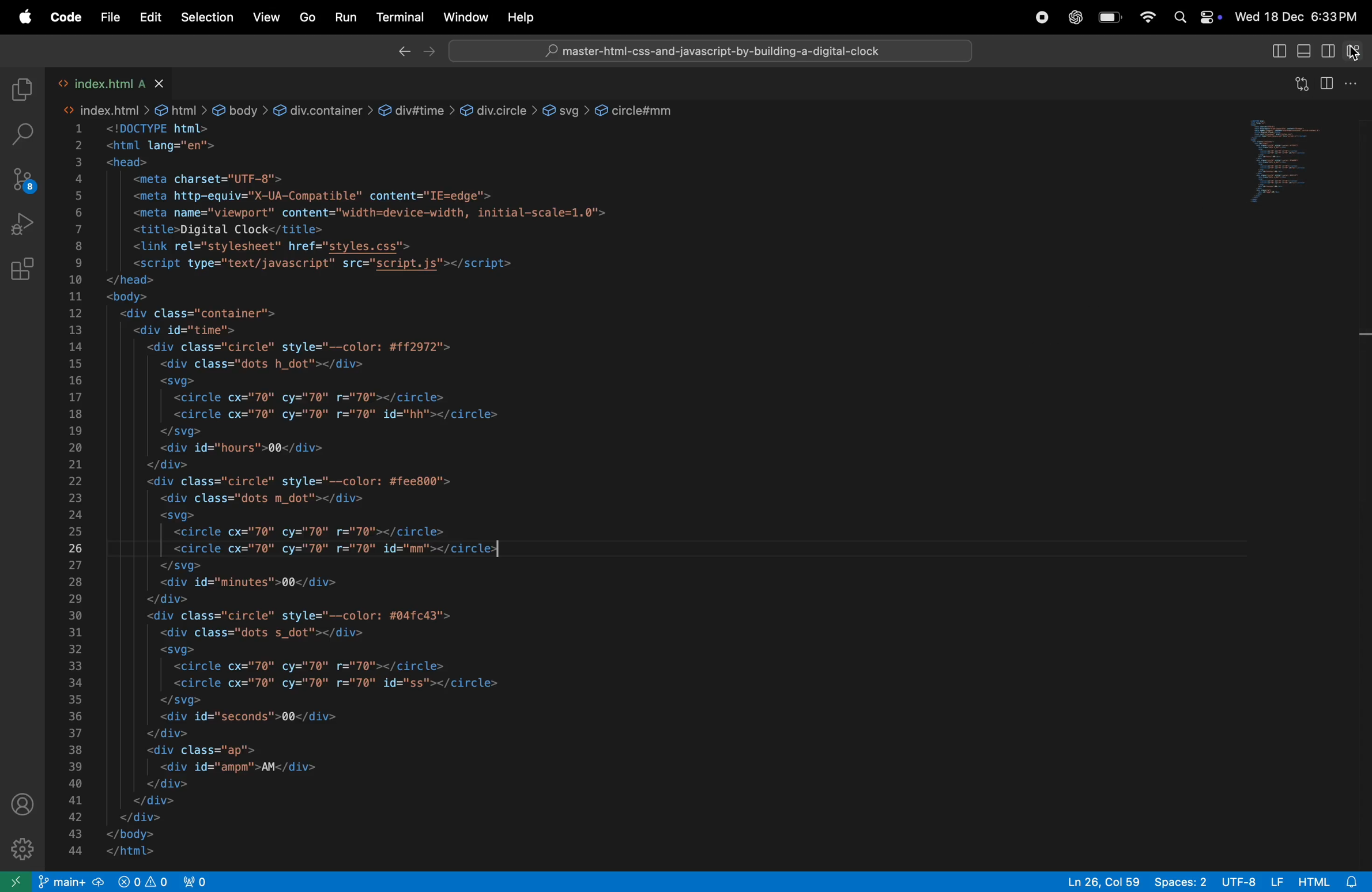 The width and height of the screenshot is (1372, 892). What do you see at coordinates (709, 51) in the screenshot?
I see `master-html-css` at bounding box center [709, 51].